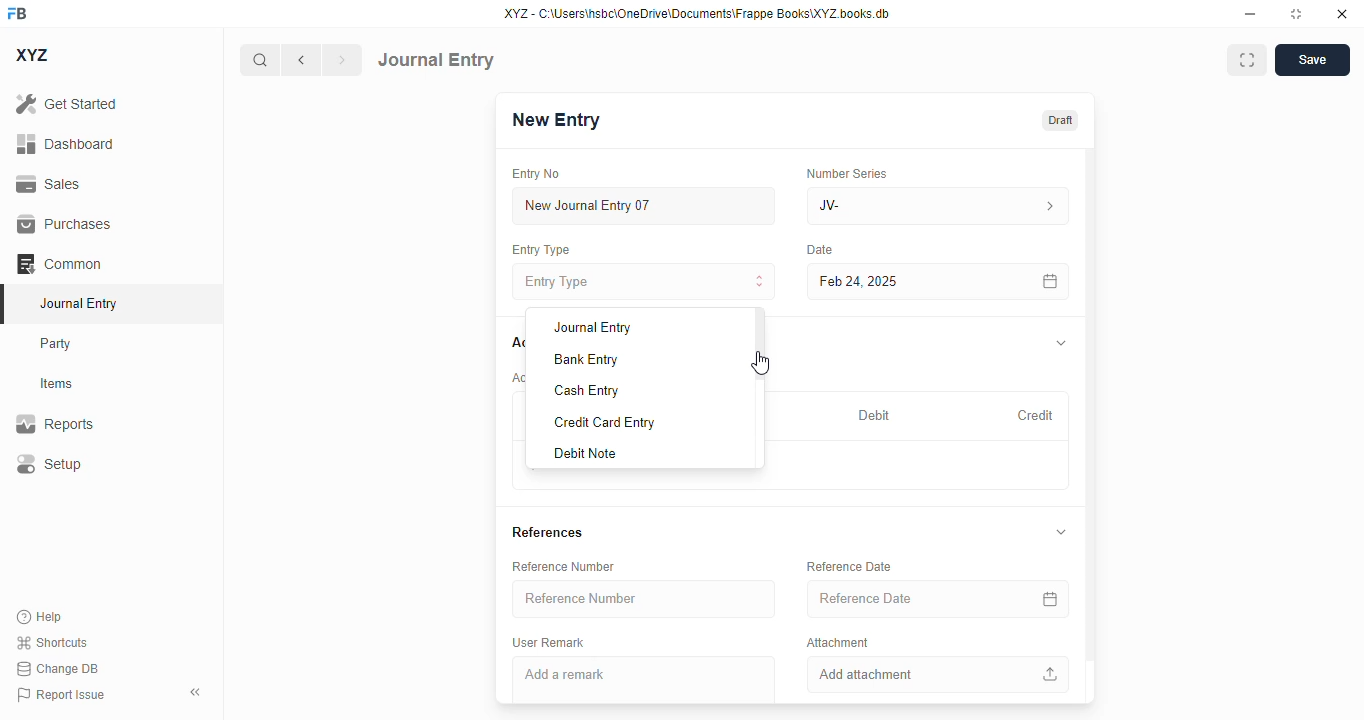 This screenshot has width=1364, height=720. What do you see at coordinates (897, 598) in the screenshot?
I see `reference date` at bounding box center [897, 598].